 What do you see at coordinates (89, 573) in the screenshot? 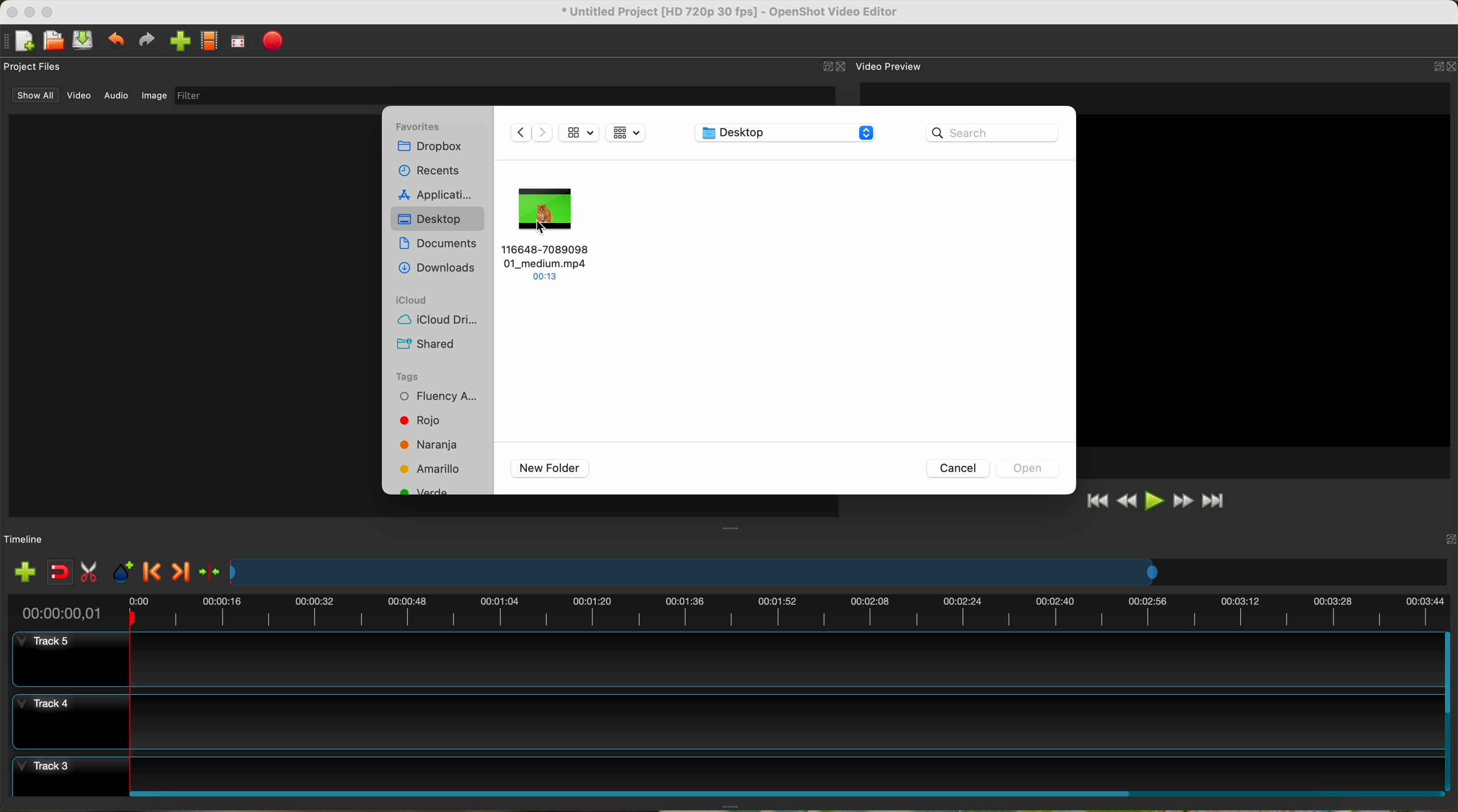
I see `enable razor` at bounding box center [89, 573].